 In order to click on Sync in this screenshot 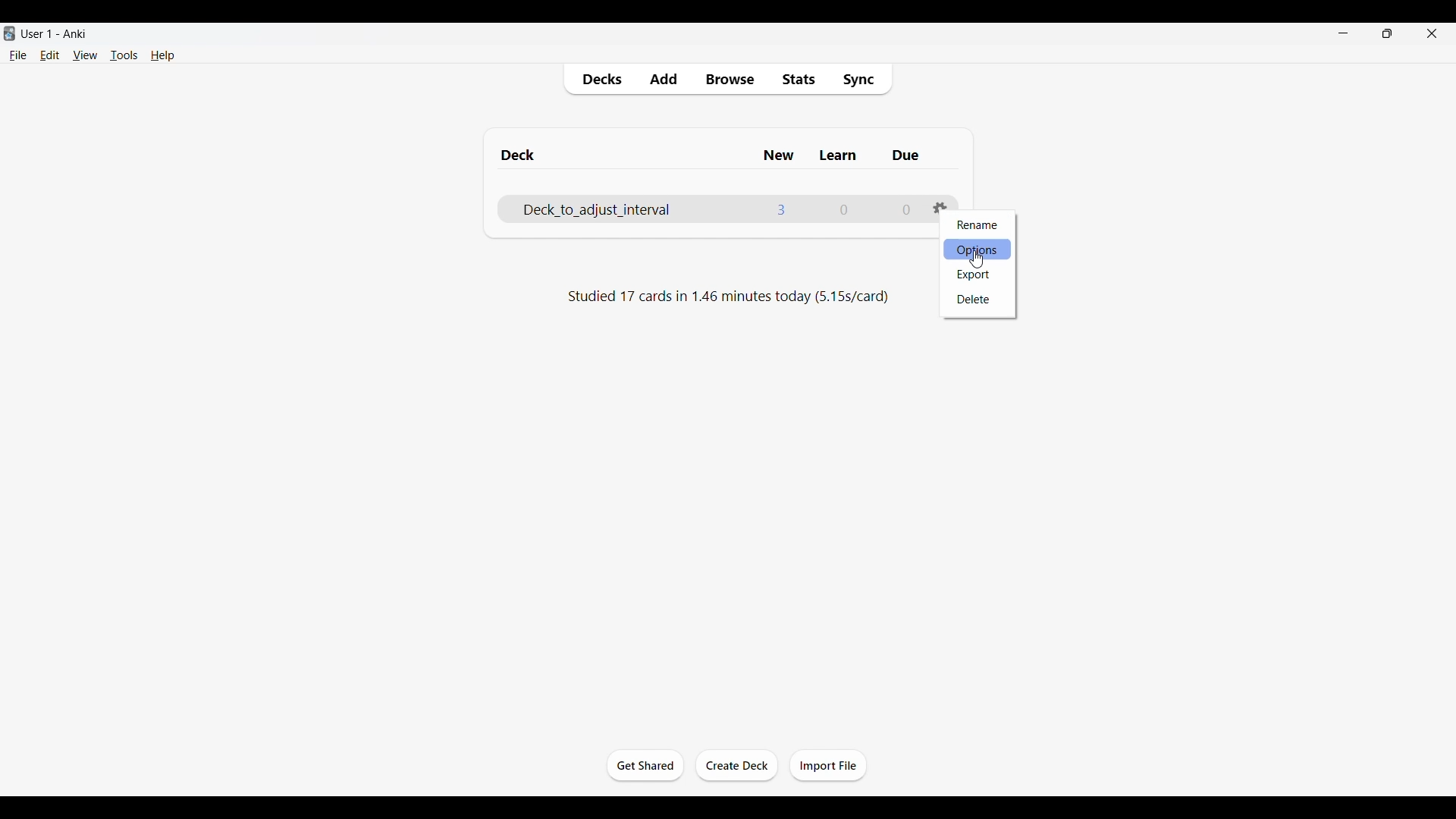, I will do `click(862, 78)`.